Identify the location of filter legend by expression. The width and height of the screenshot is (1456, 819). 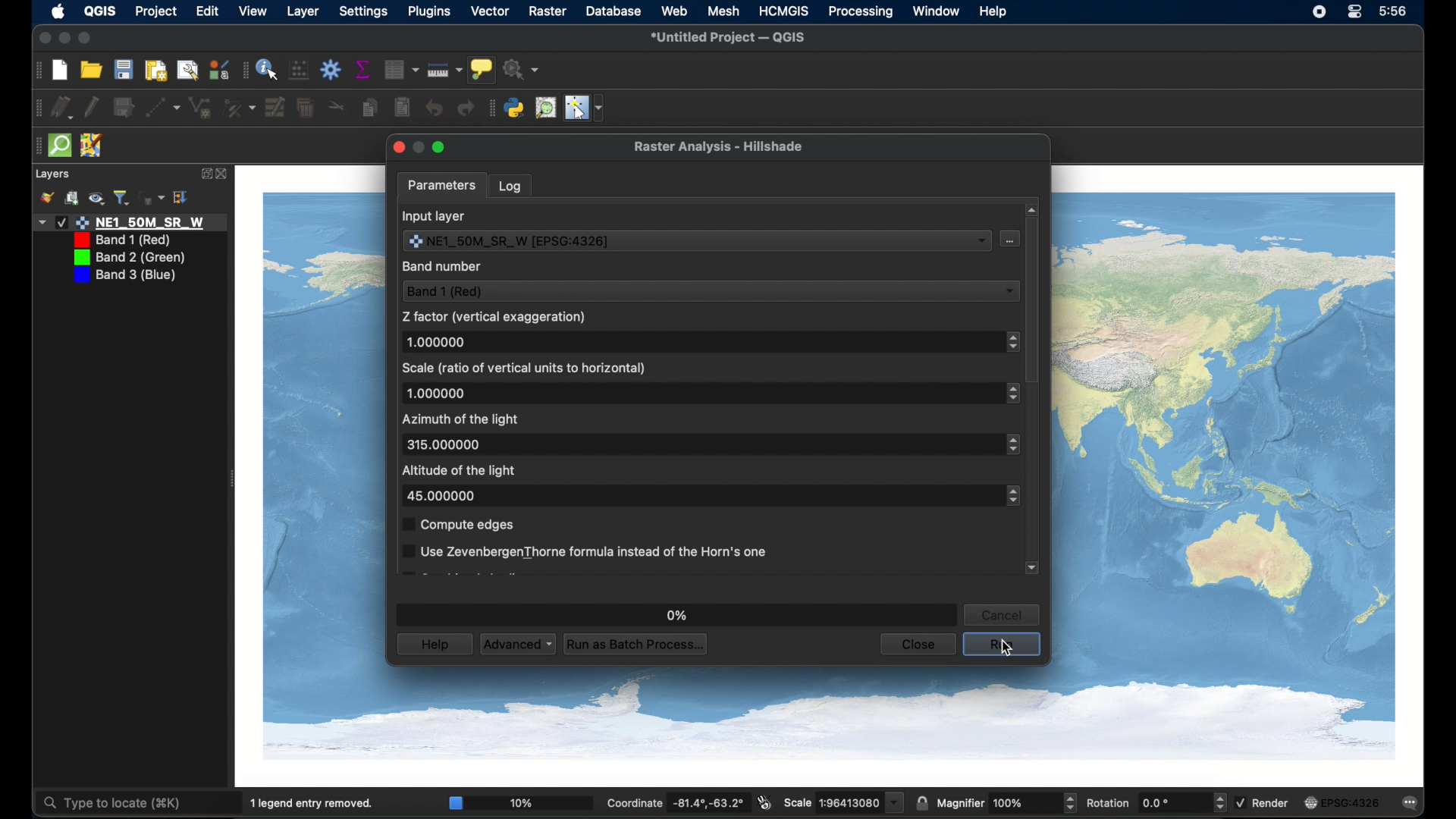
(152, 198).